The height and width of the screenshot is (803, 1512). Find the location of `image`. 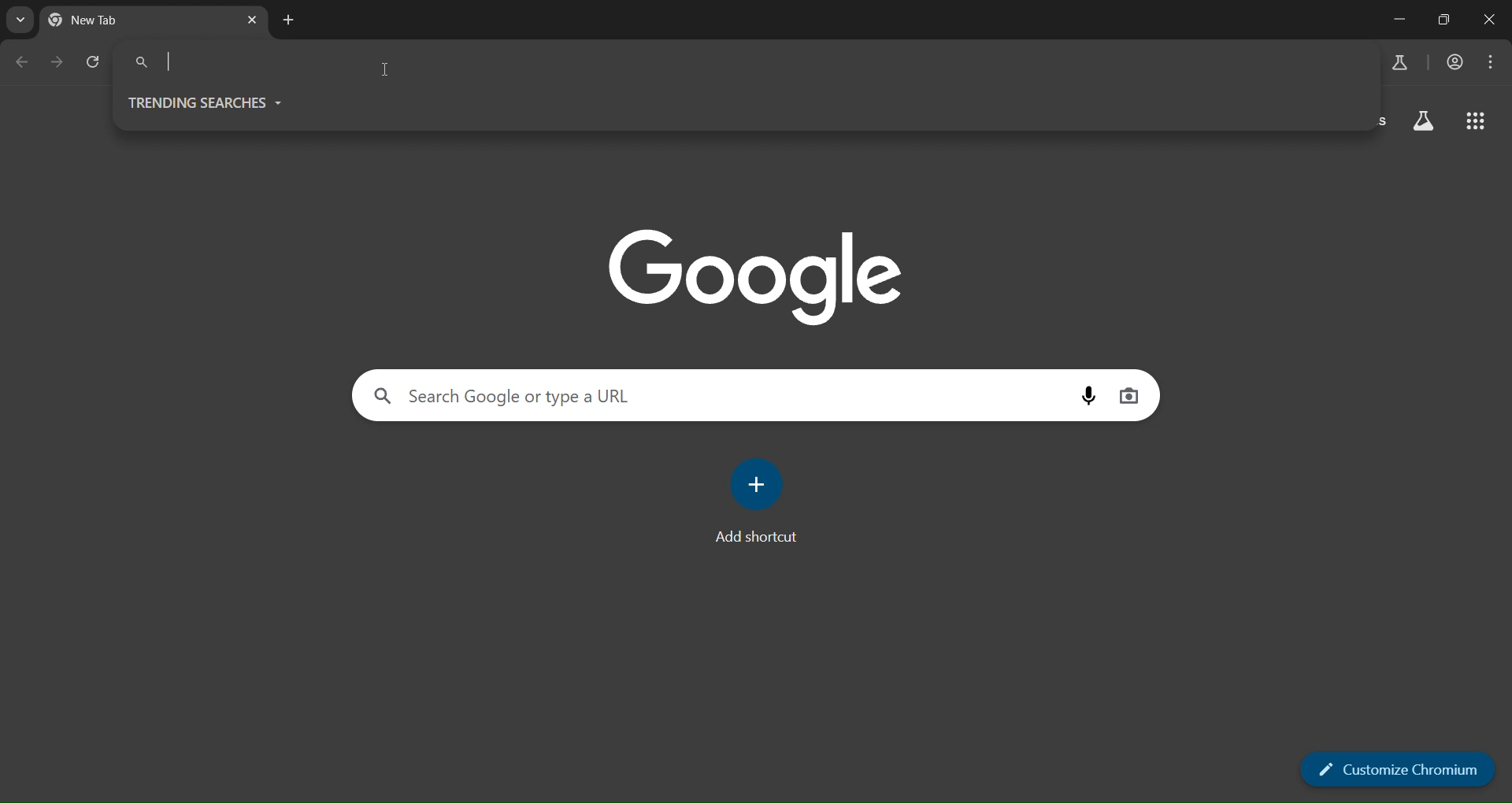

image is located at coordinates (759, 276).